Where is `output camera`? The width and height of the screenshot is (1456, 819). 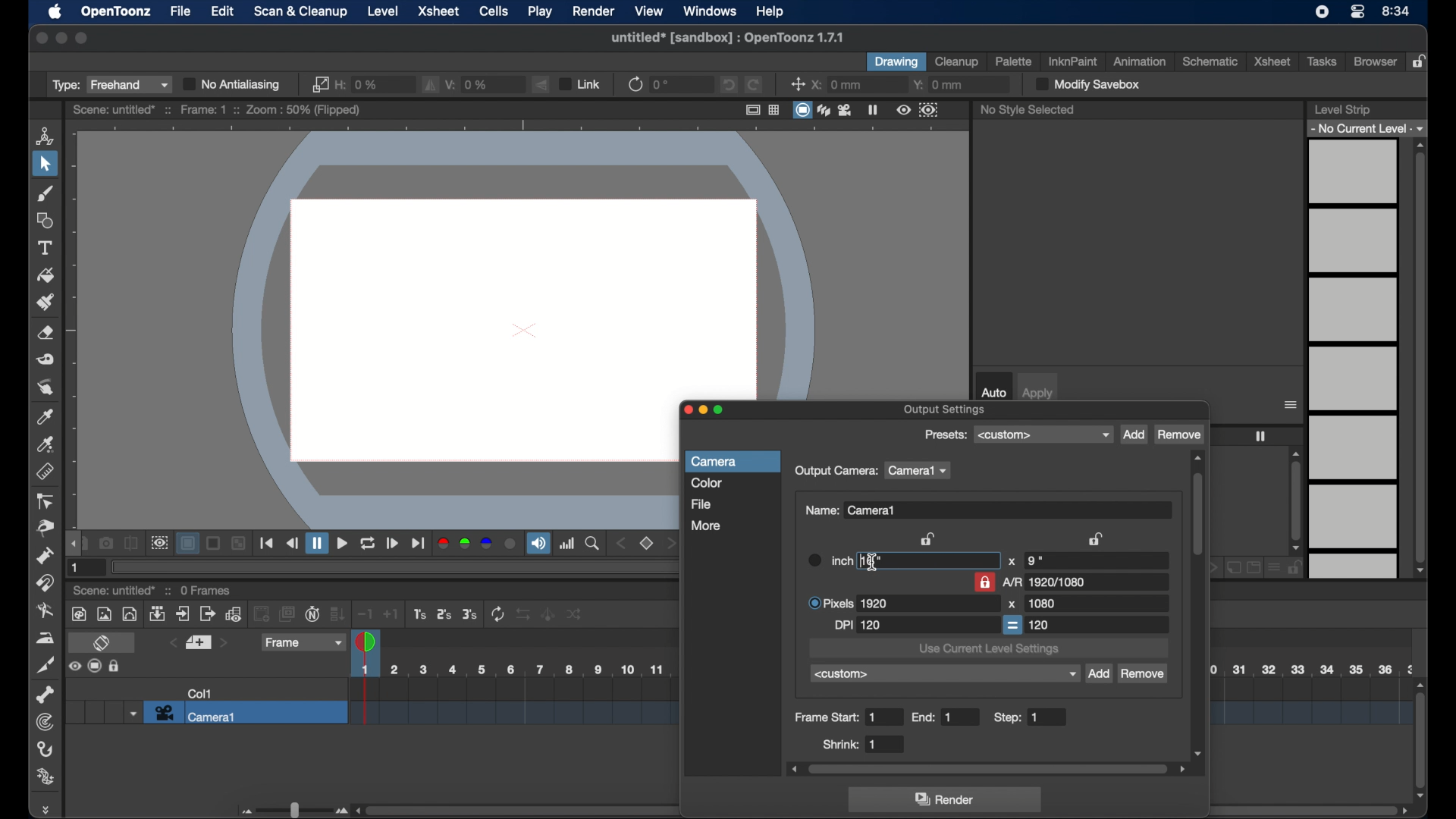
output camera is located at coordinates (836, 472).